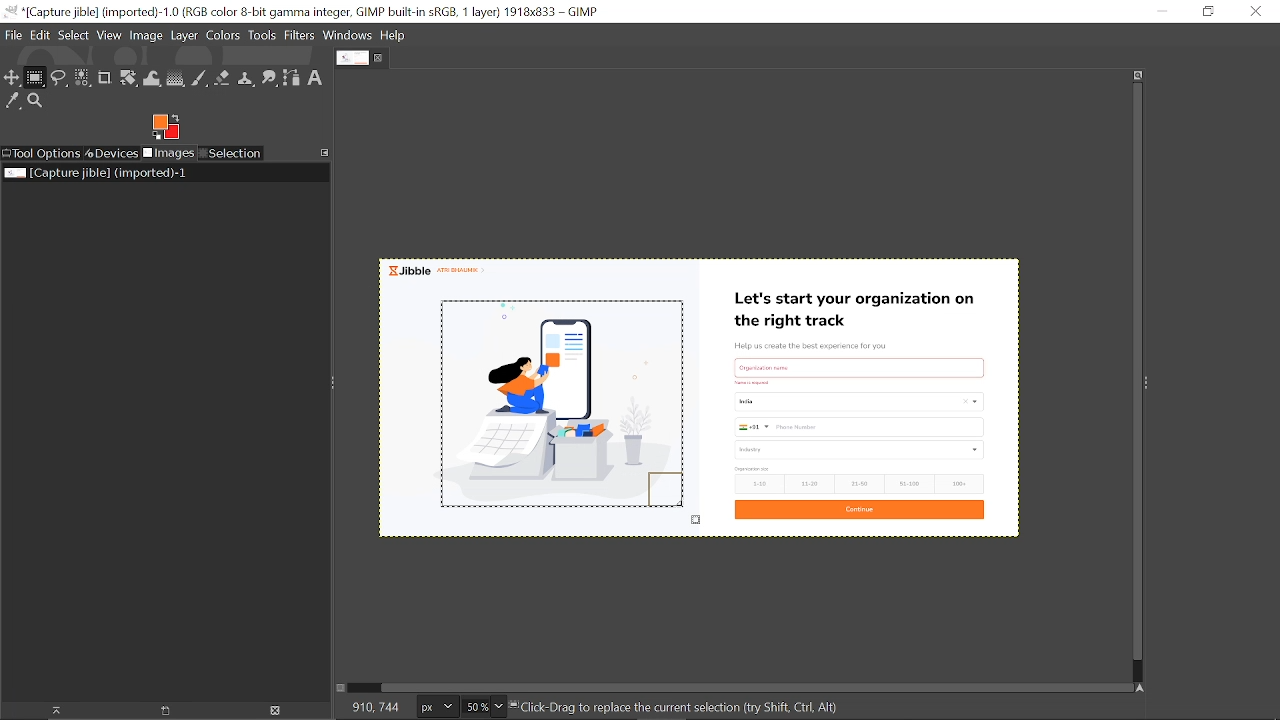 The width and height of the screenshot is (1280, 720). I want to click on Free select tool, so click(60, 79).